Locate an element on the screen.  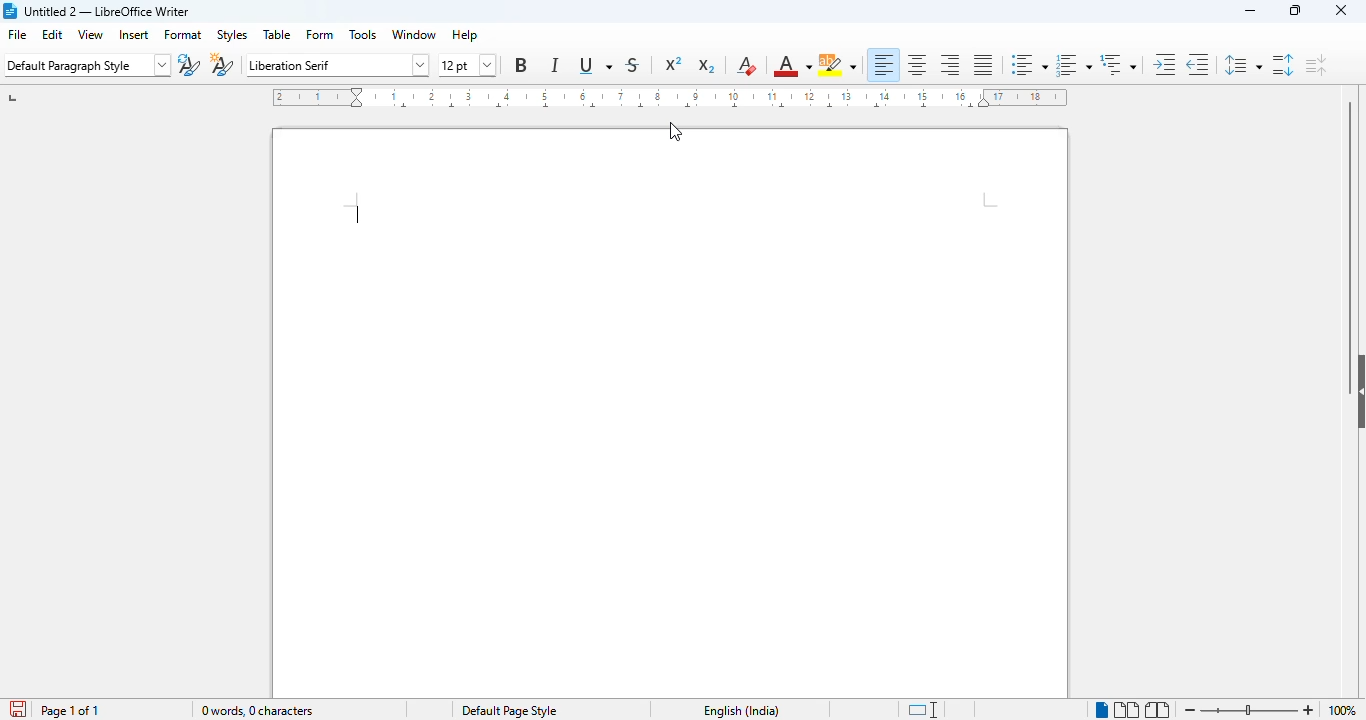
click to save document is located at coordinates (17, 709).